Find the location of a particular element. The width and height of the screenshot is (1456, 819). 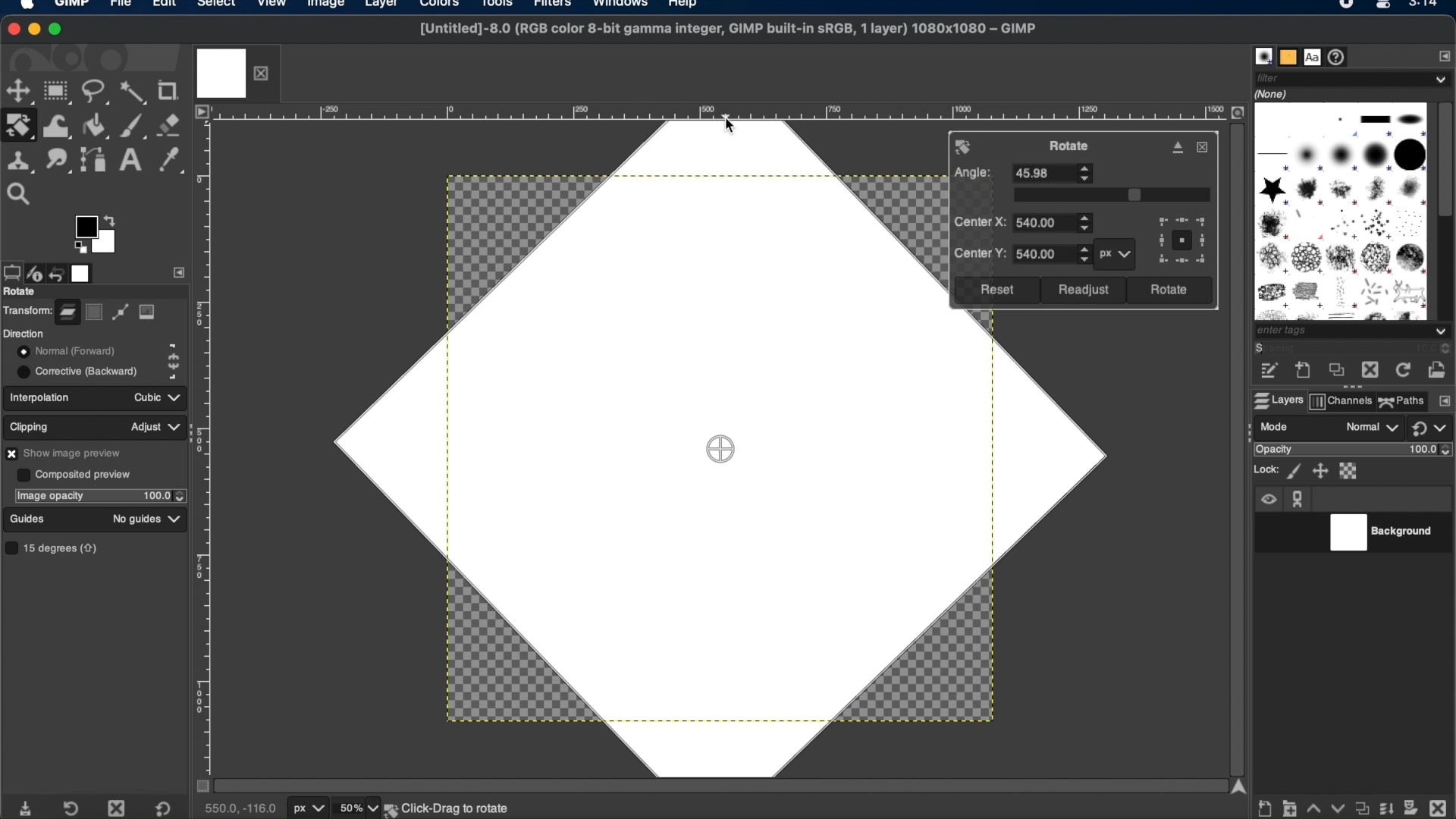

create a new brush is located at coordinates (1304, 372).